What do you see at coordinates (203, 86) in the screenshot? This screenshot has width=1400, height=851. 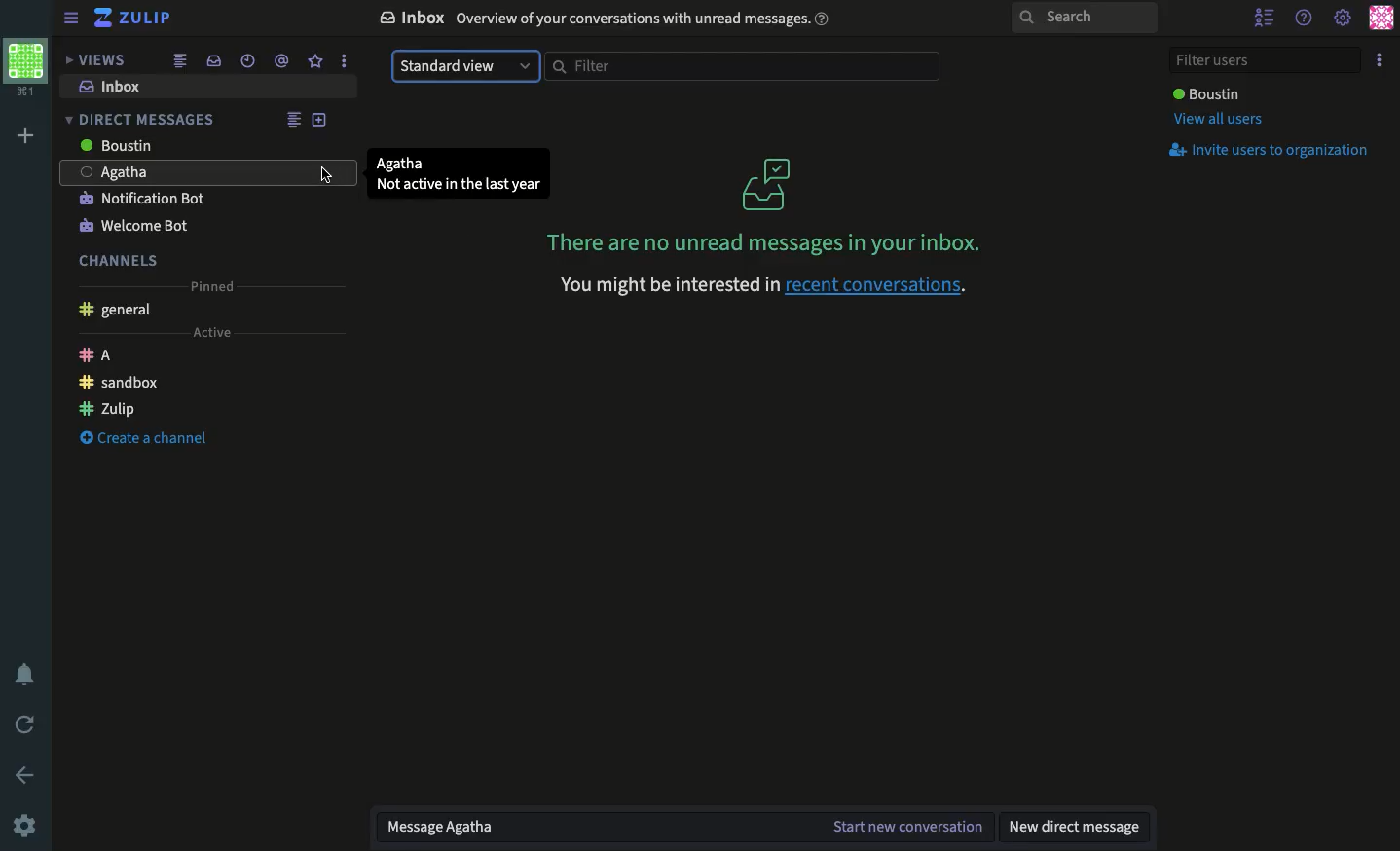 I see `Inbox` at bounding box center [203, 86].